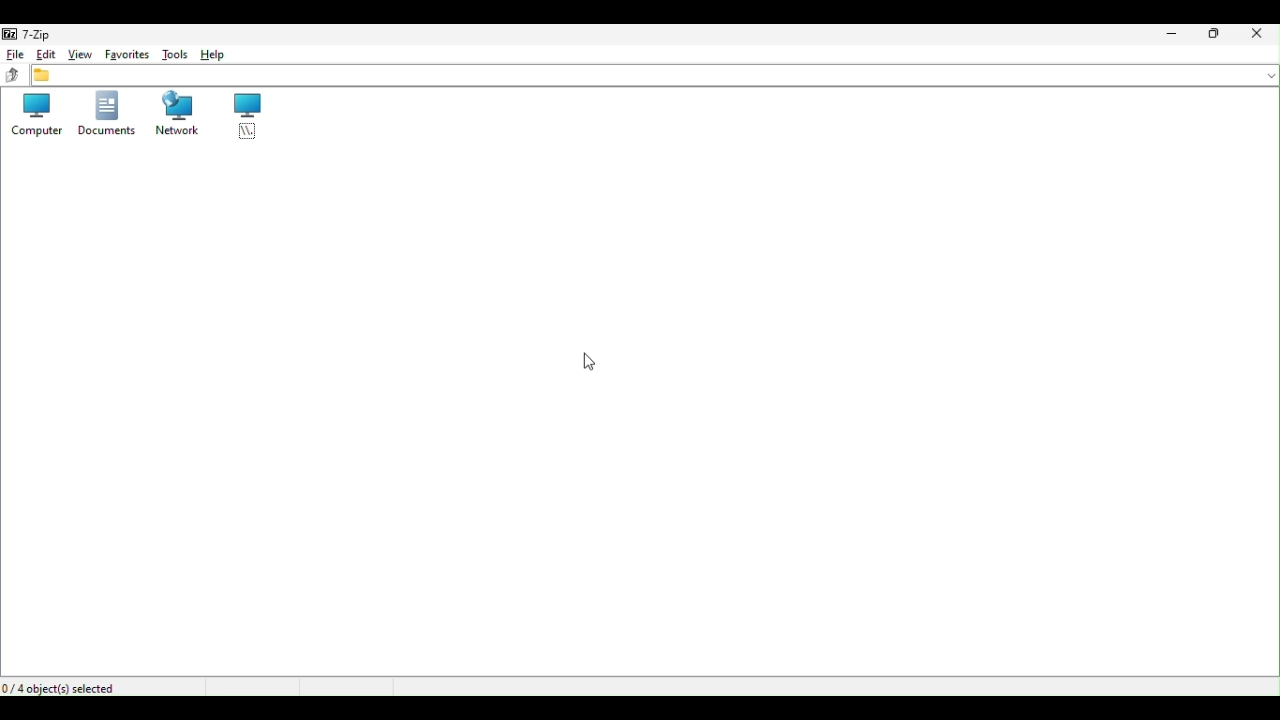 This screenshot has height=720, width=1280. What do you see at coordinates (175, 55) in the screenshot?
I see `Tools` at bounding box center [175, 55].